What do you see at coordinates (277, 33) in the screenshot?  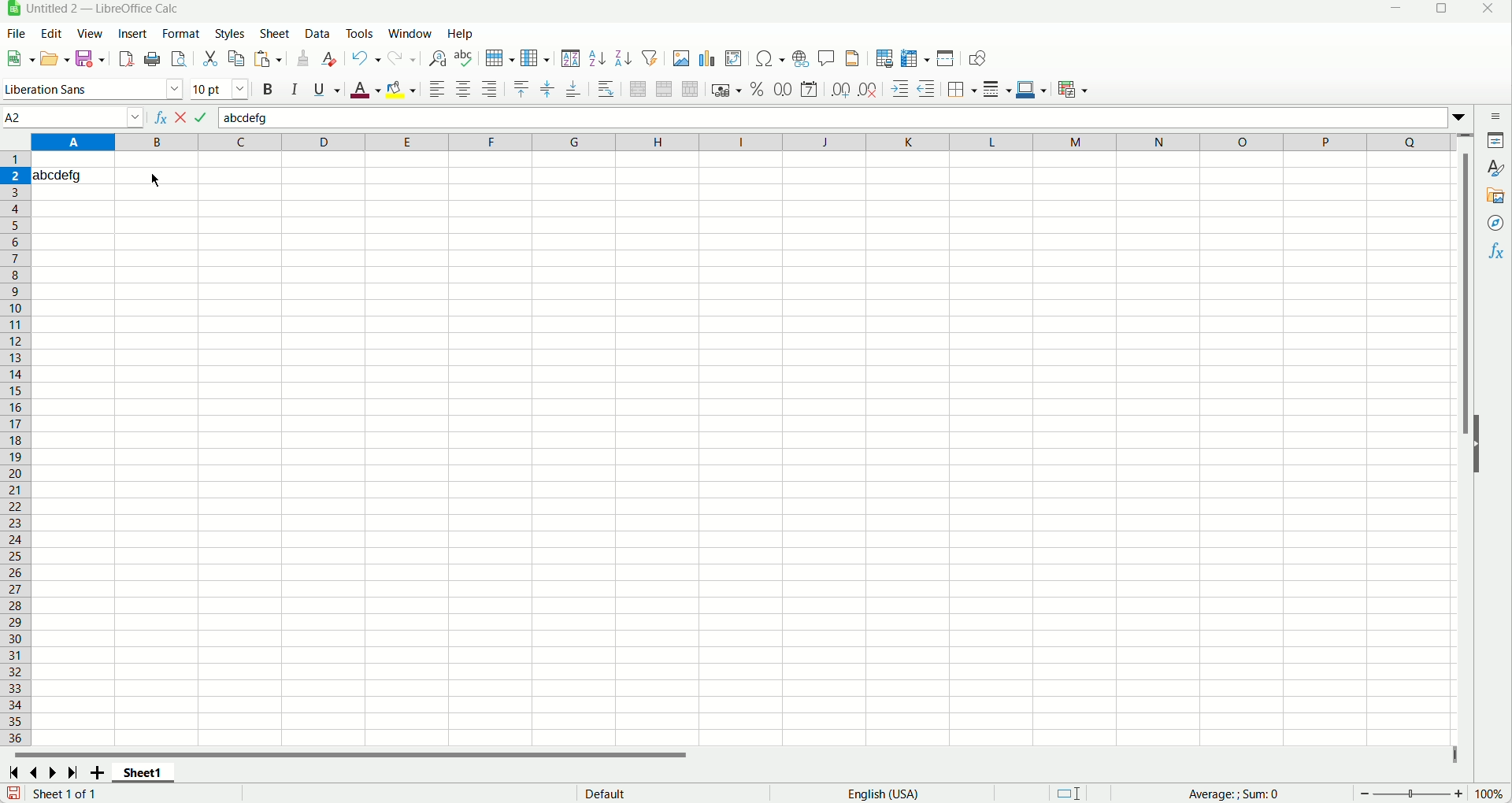 I see `sheet` at bounding box center [277, 33].